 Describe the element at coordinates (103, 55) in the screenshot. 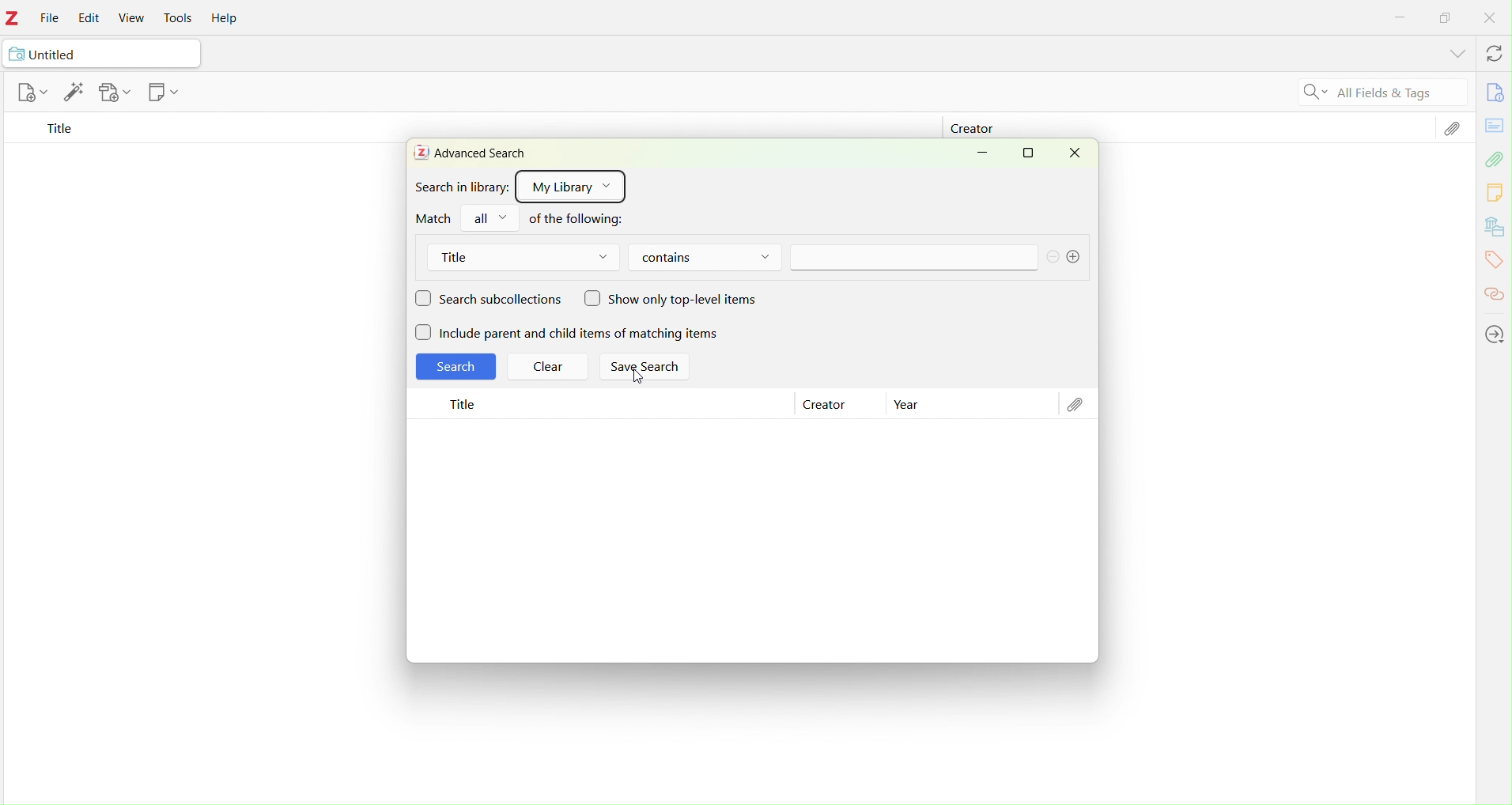

I see `Untitled` at that location.